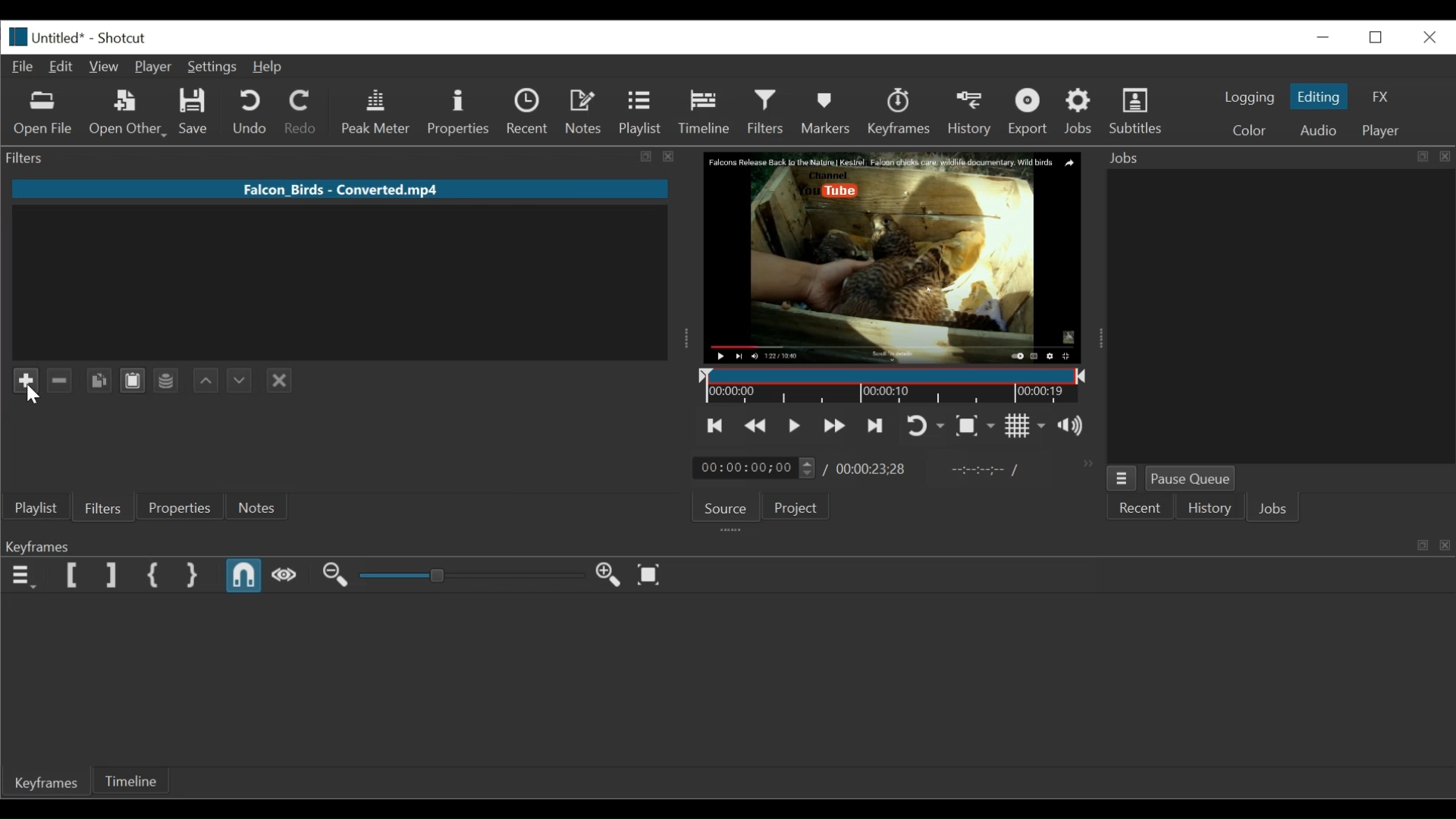 This screenshot has height=819, width=1456. Describe the element at coordinates (261, 507) in the screenshot. I see `Notes` at that location.